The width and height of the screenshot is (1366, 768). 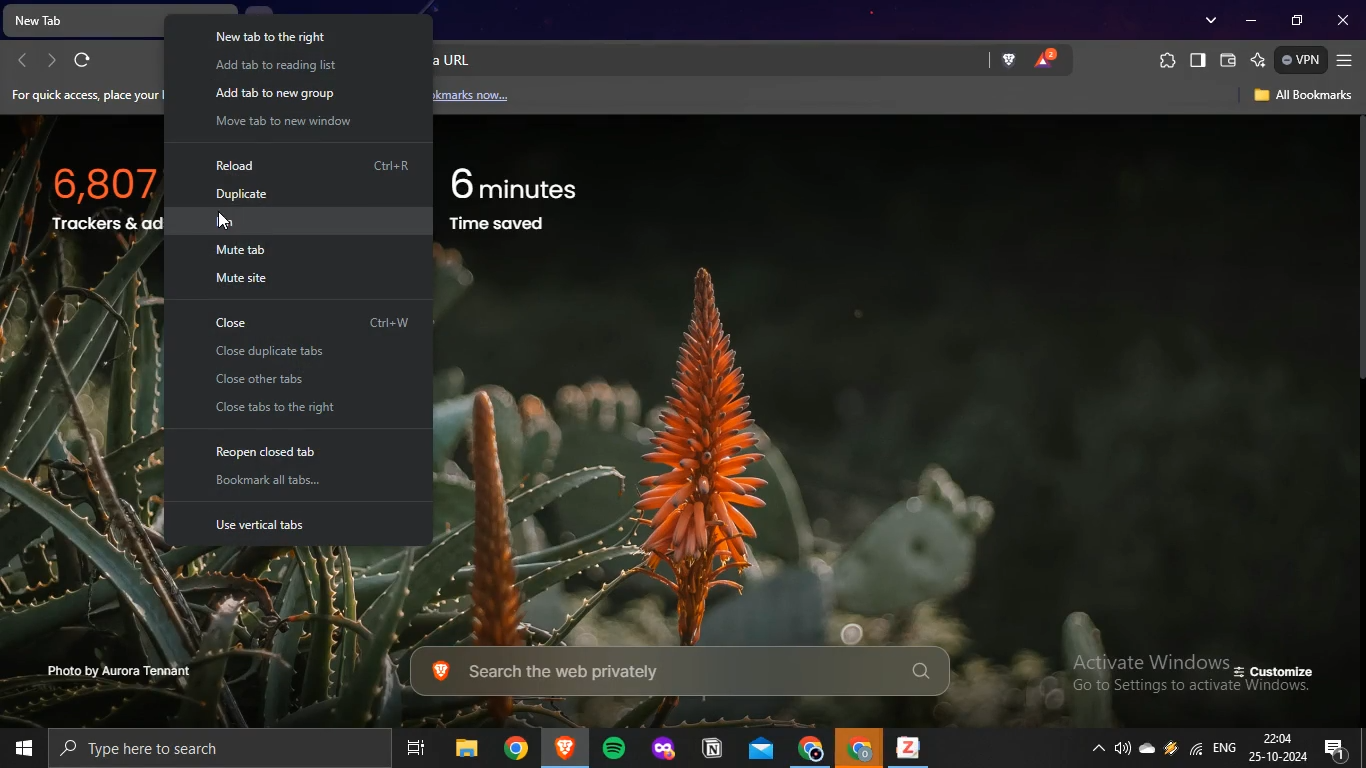 I want to click on google chrome, so click(x=810, y=749).